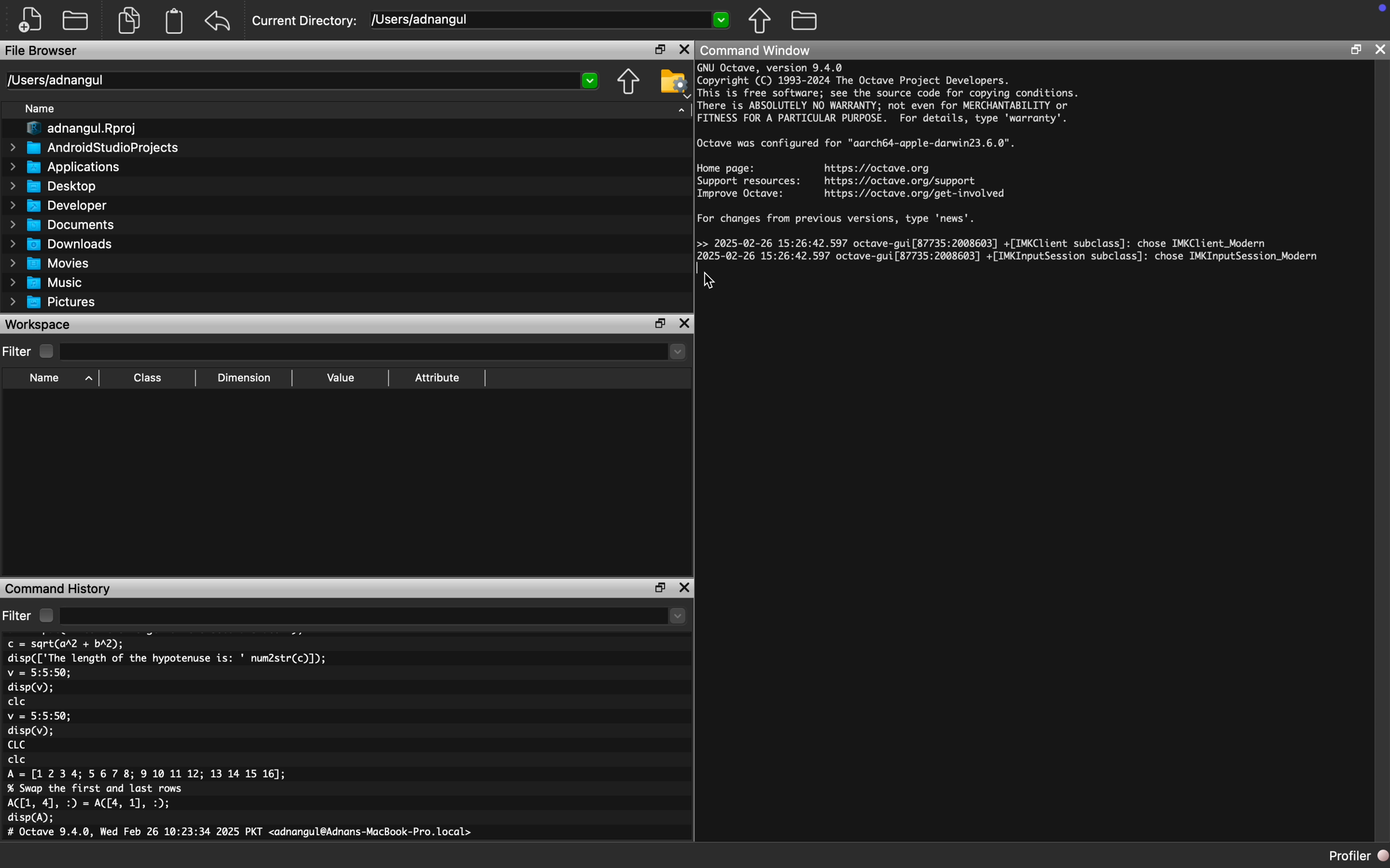 The image size is (1390, 868). Describe the element at coordinates (52, 302) in the screenshot. I see `Pictures` at that location.